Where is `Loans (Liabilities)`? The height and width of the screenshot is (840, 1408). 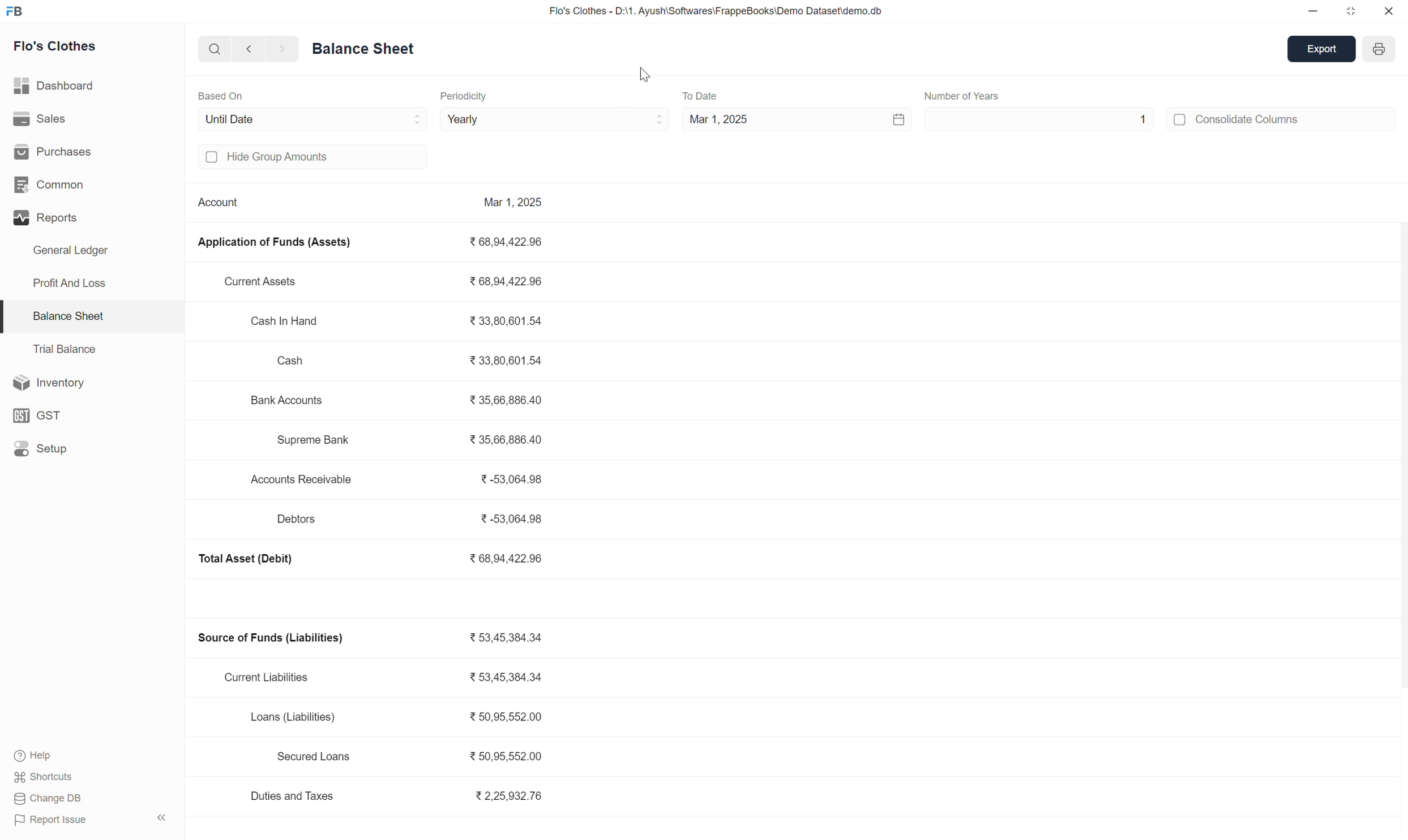
Loans (Liabilities) is located at coordinates (294, 716).